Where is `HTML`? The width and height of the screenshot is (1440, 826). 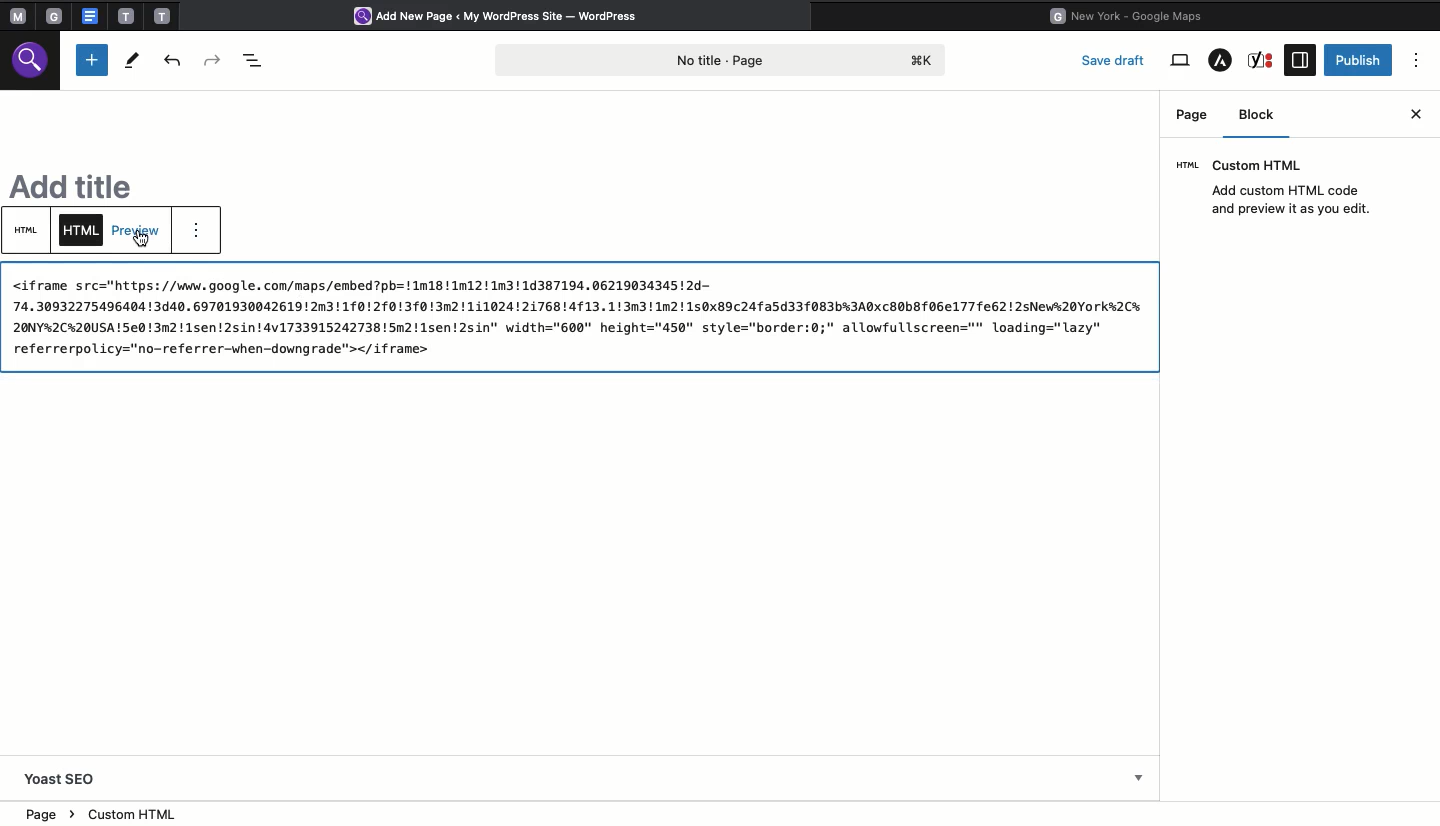 HTML is located at coordinates (29, 230).